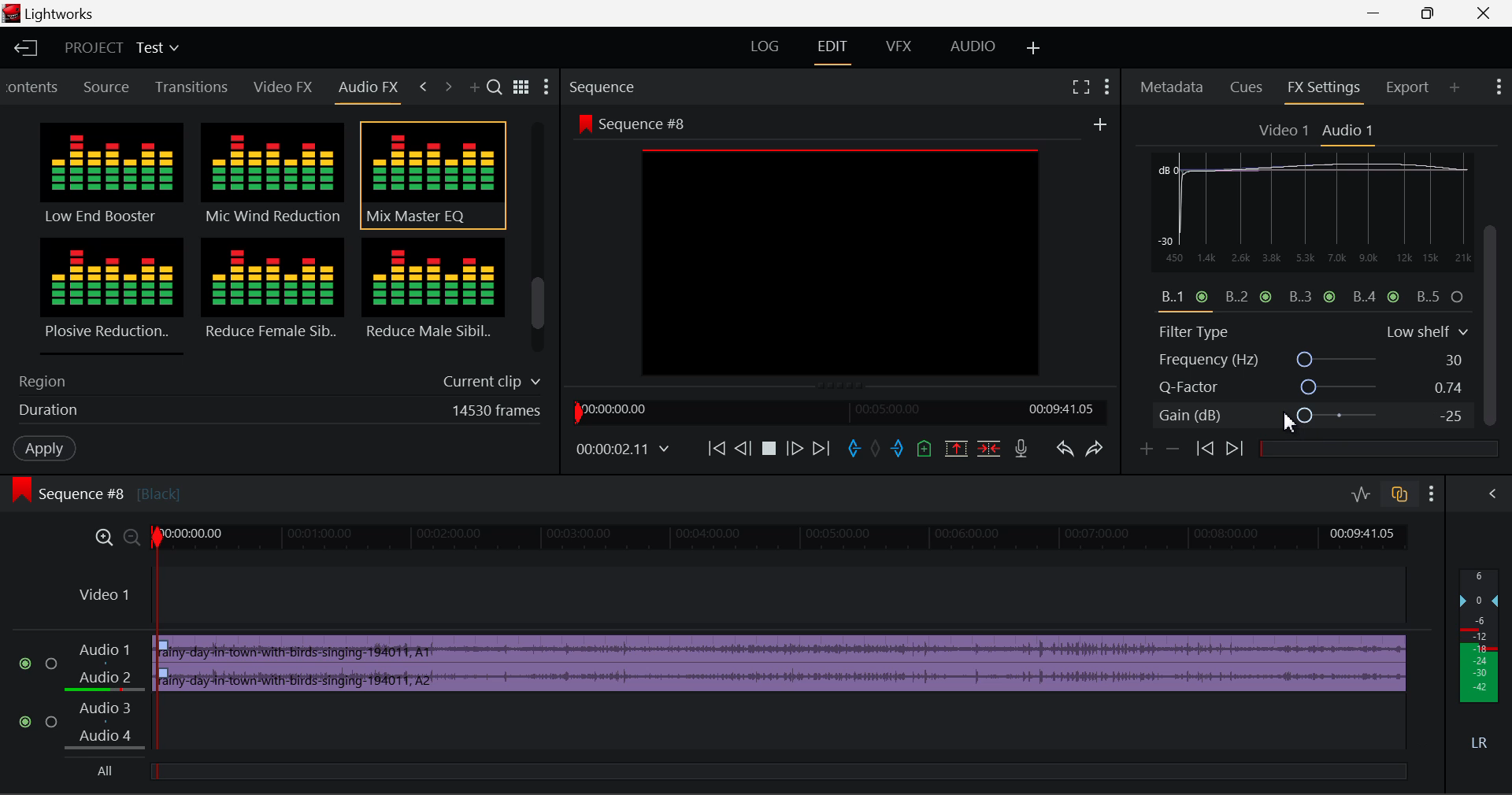 This screenshot has width=1512, height=795. Describe the element at coordinates (1247, 89) in the screenshot. I see `Cues` at that location.